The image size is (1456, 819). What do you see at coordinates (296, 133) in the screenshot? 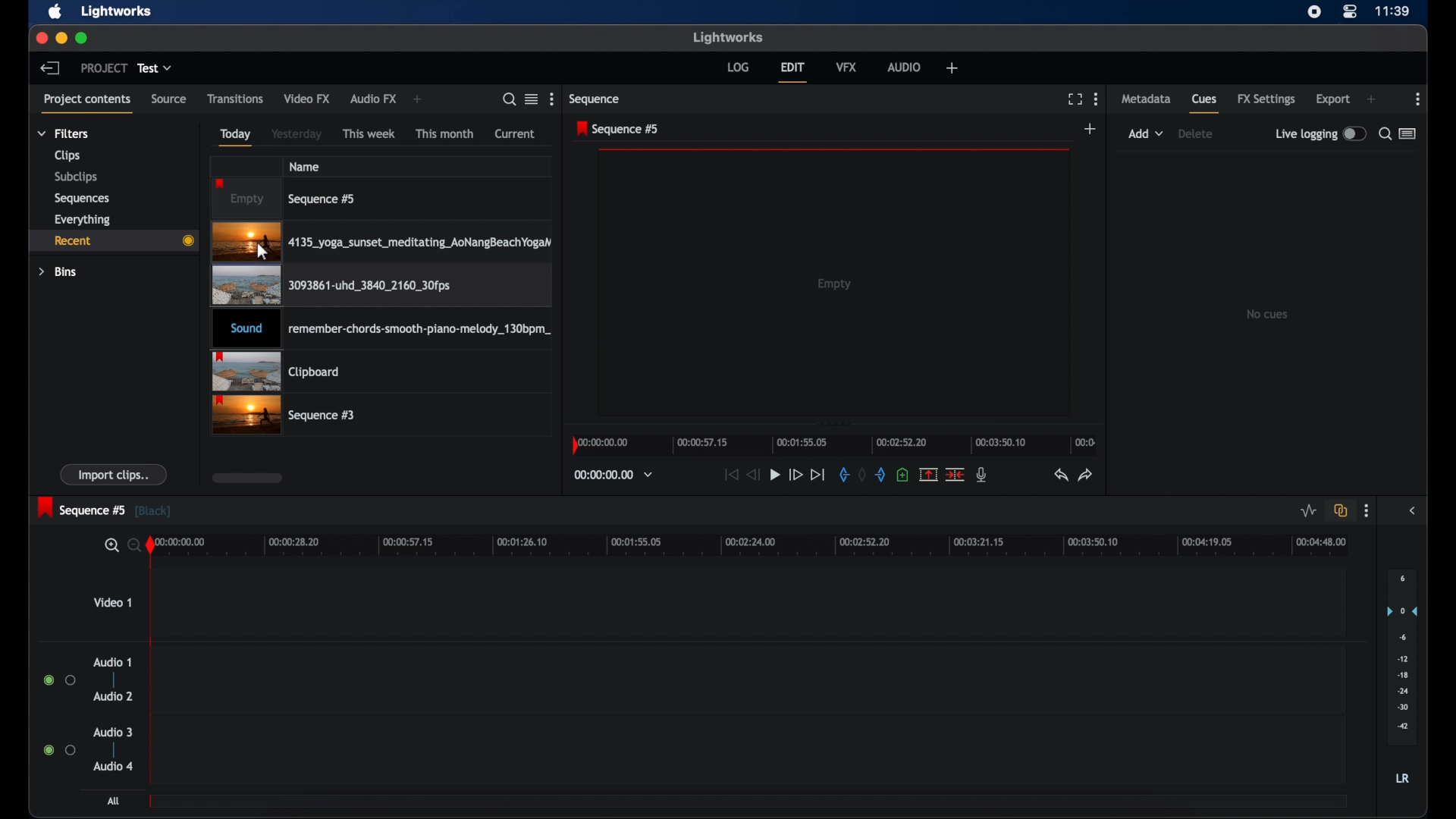
I see `yesterday` at bounding box center [296, 133].